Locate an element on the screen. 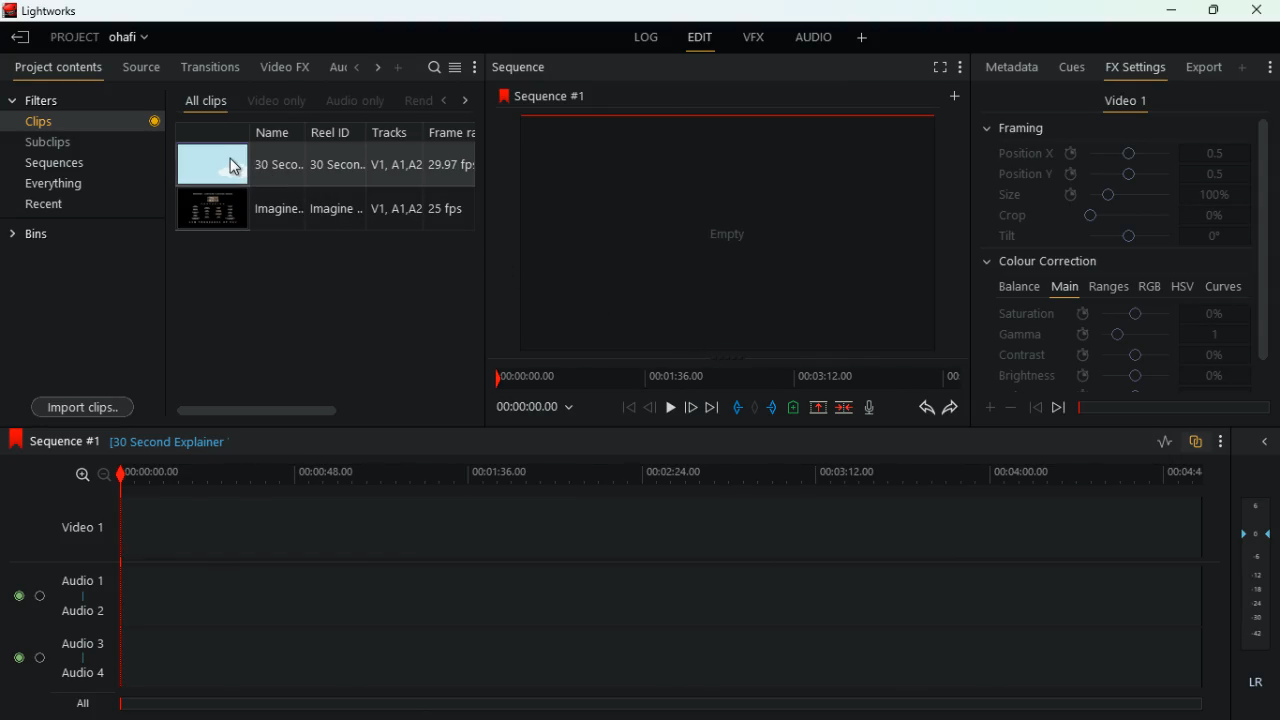 The width and height of the screenshot is (1280, 720). audio 2 is located at coordinates (80, 611).